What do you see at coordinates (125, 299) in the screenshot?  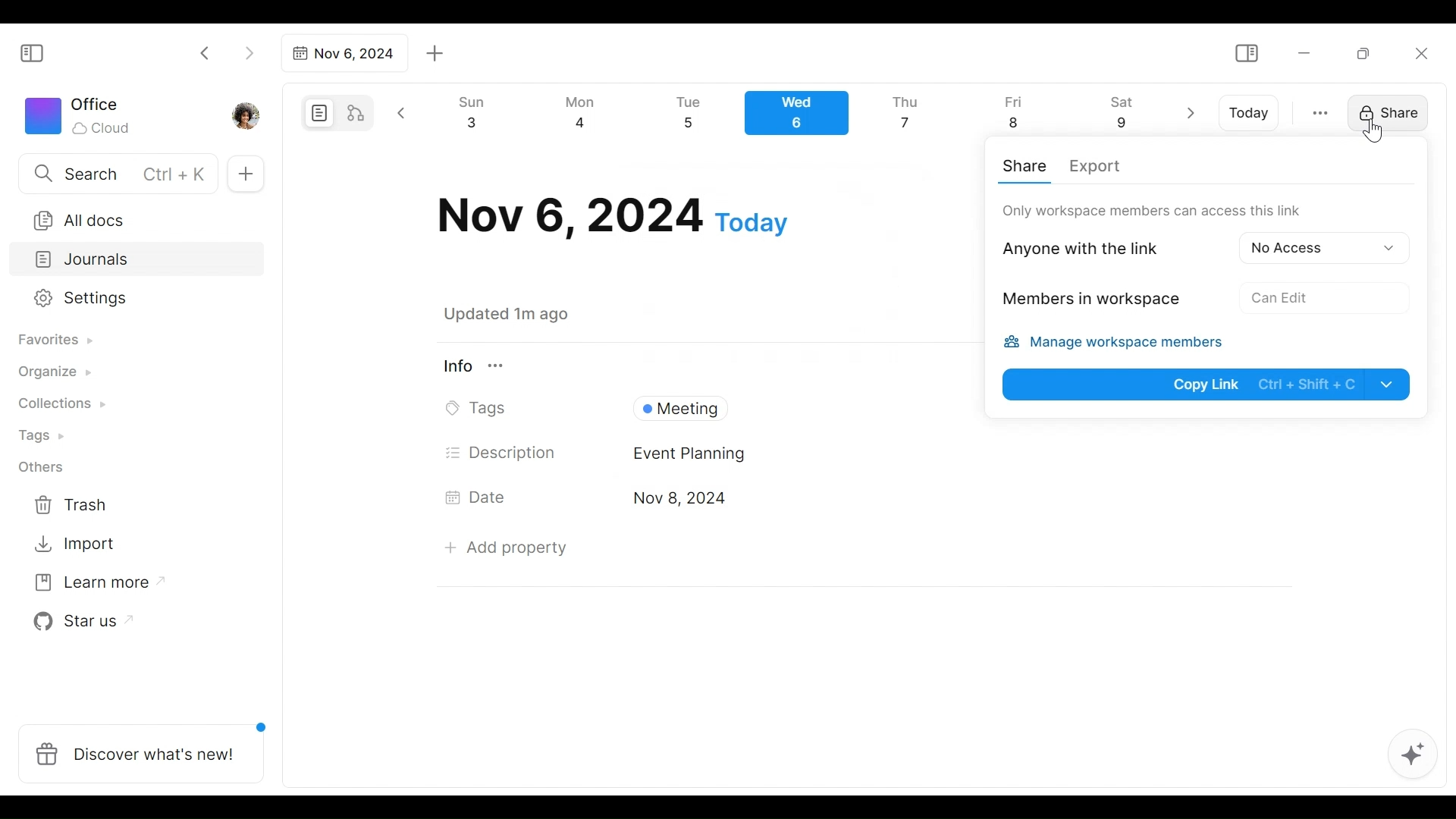 I see `Settings` at bounding box center [125, 299].